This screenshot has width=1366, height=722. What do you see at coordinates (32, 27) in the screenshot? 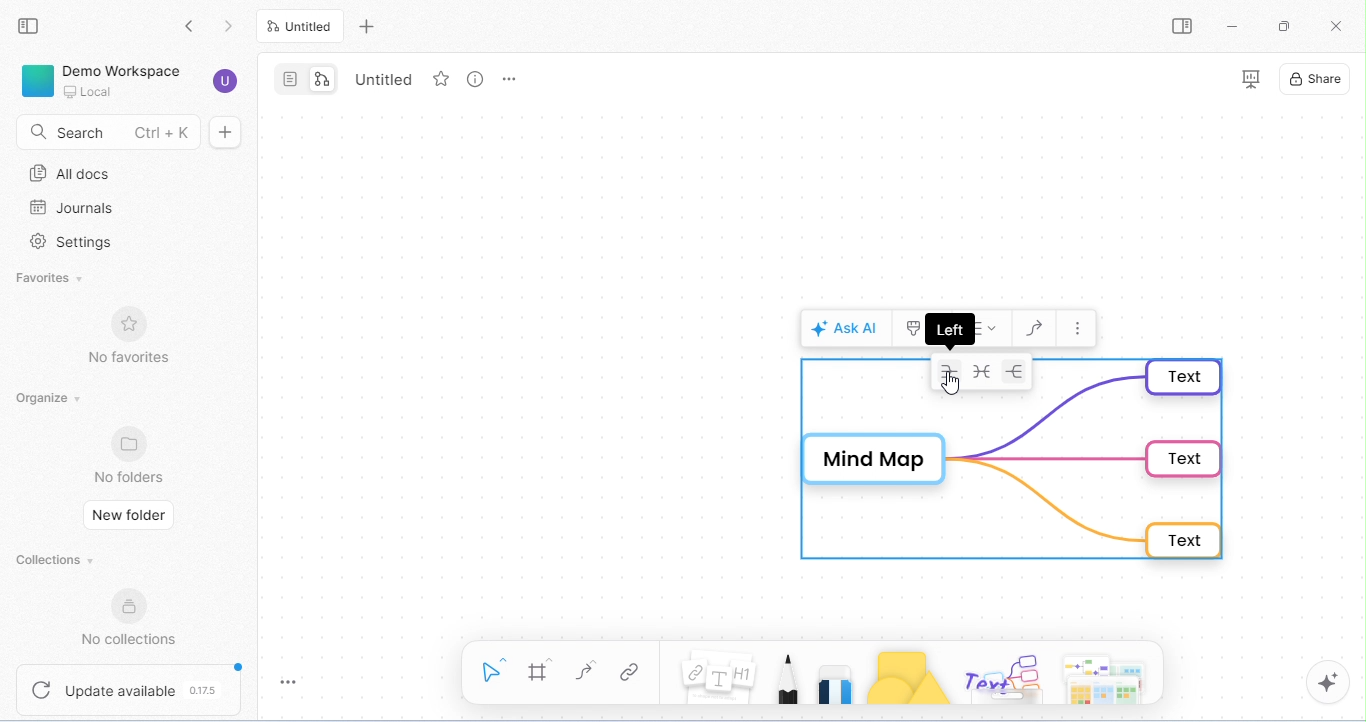
I see `collapse side bar` at bounding box center [32, 27].